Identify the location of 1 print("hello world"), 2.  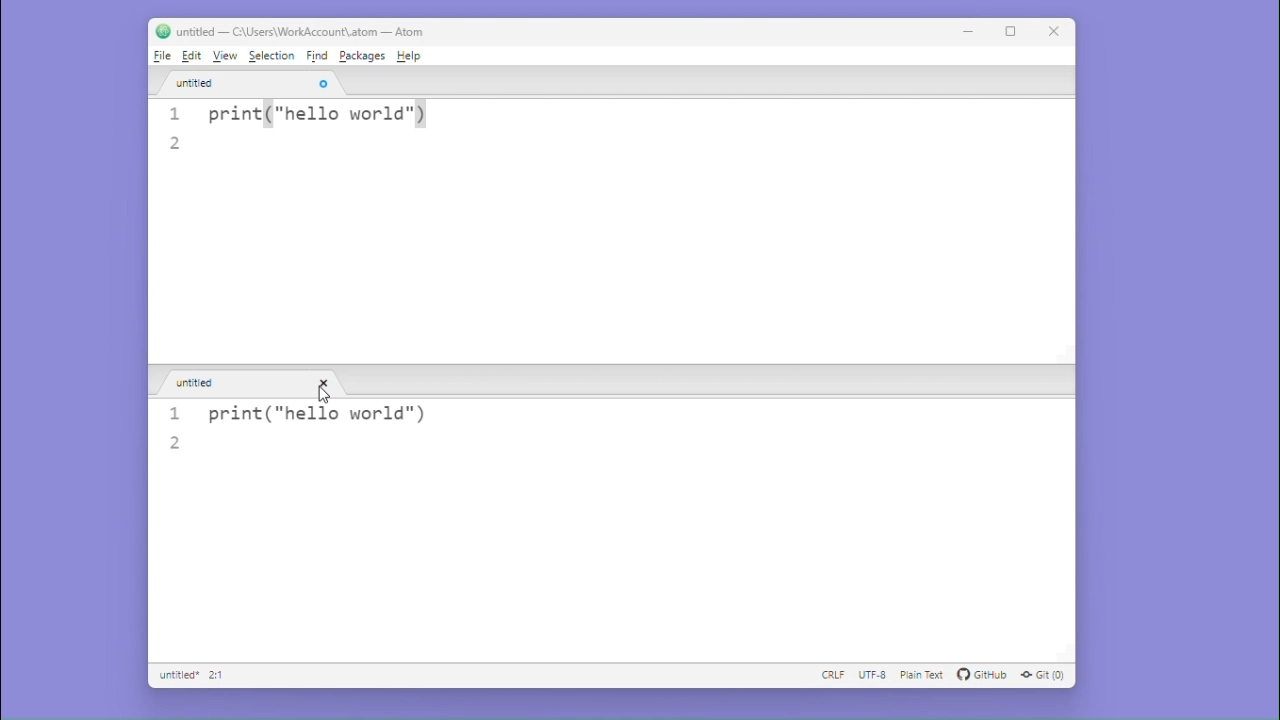
(315, 130).